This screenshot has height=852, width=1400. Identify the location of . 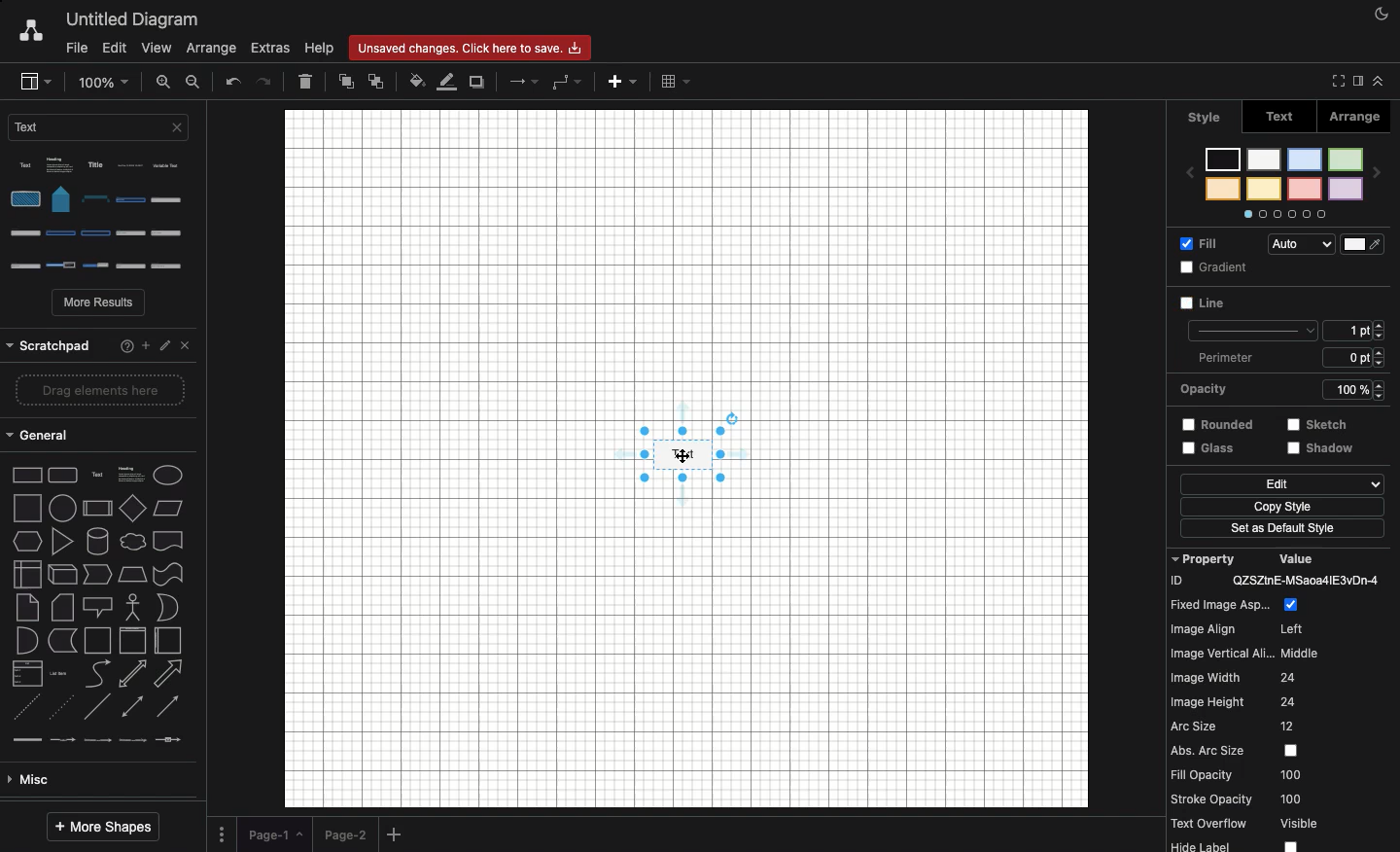
(97, 340).